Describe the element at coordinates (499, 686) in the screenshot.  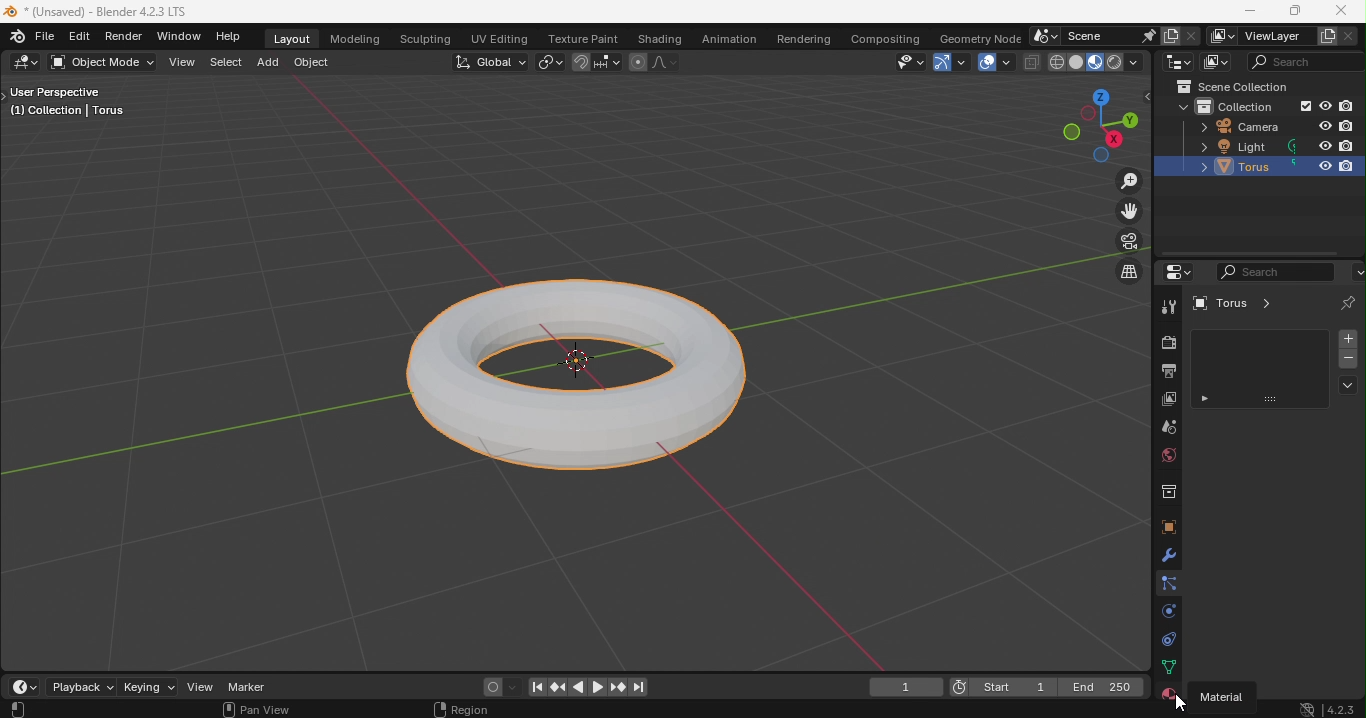
I see `Auto keyframing` at that location.